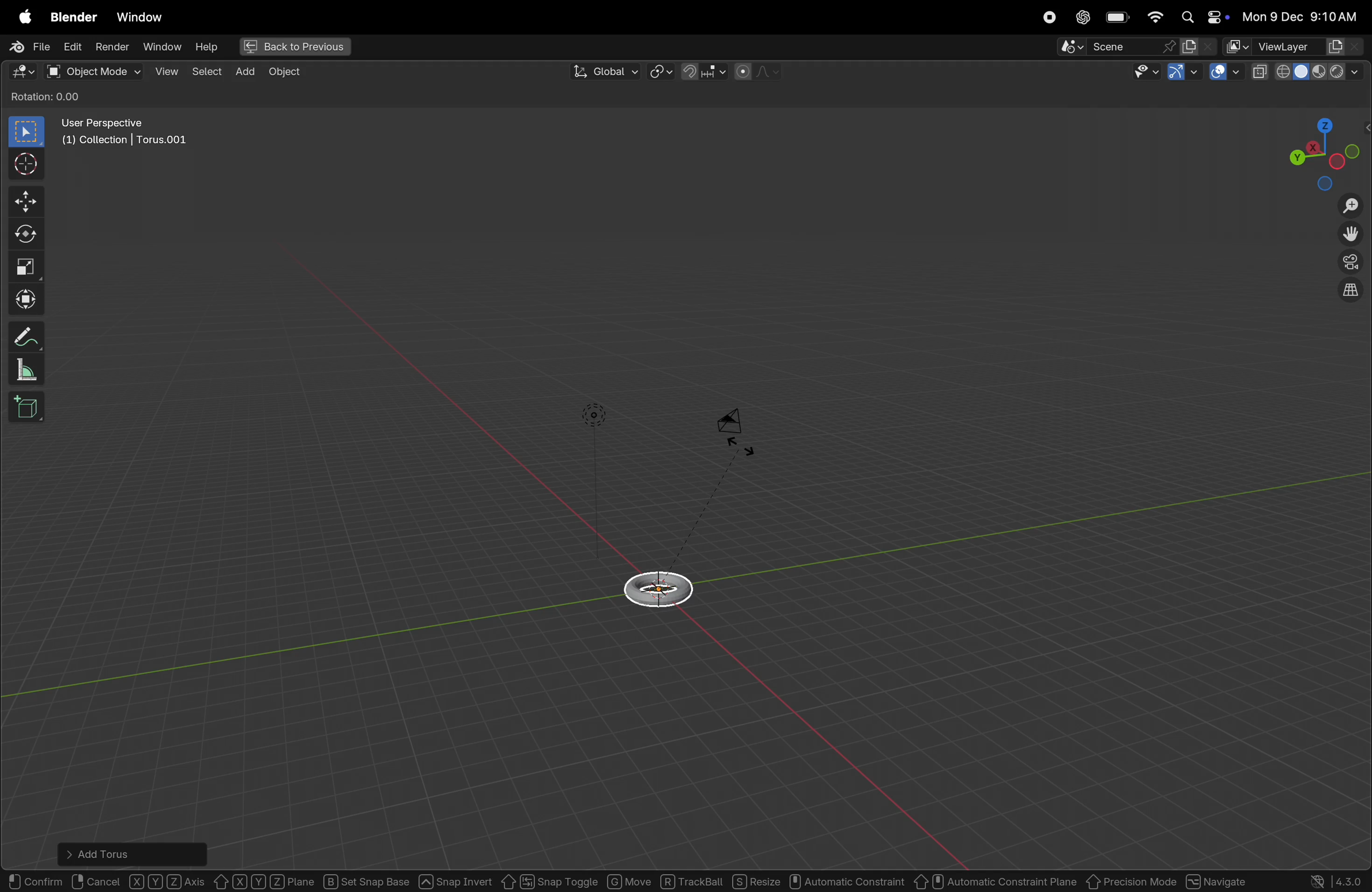 The image size is (1372, 892). What do you see at coordinates (93, 71) in the screenshot?
I see `object mode` at bounding box center [93, 71].